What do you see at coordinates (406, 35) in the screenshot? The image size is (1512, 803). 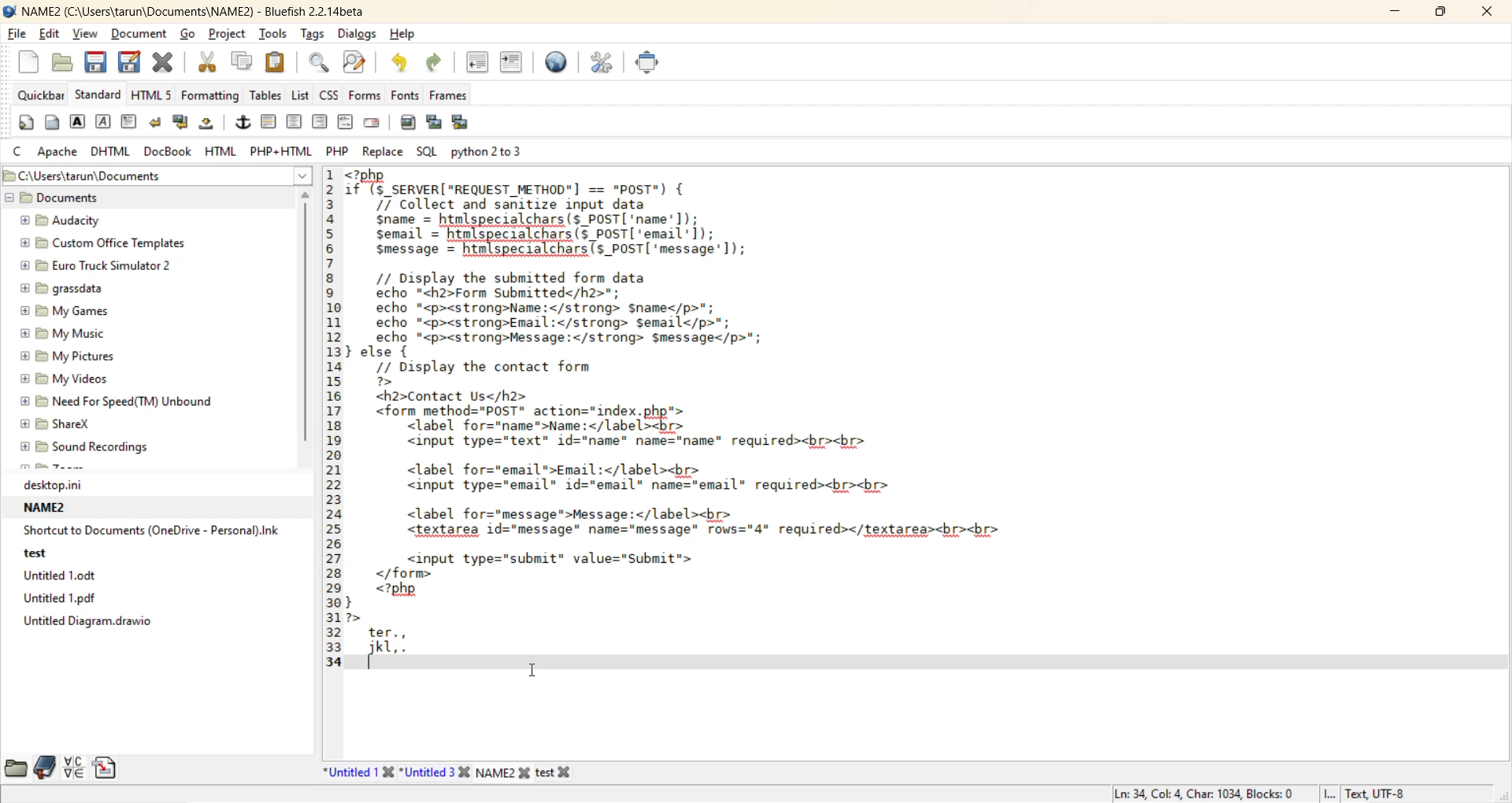 I see `help` at bounding box center [406, 35].